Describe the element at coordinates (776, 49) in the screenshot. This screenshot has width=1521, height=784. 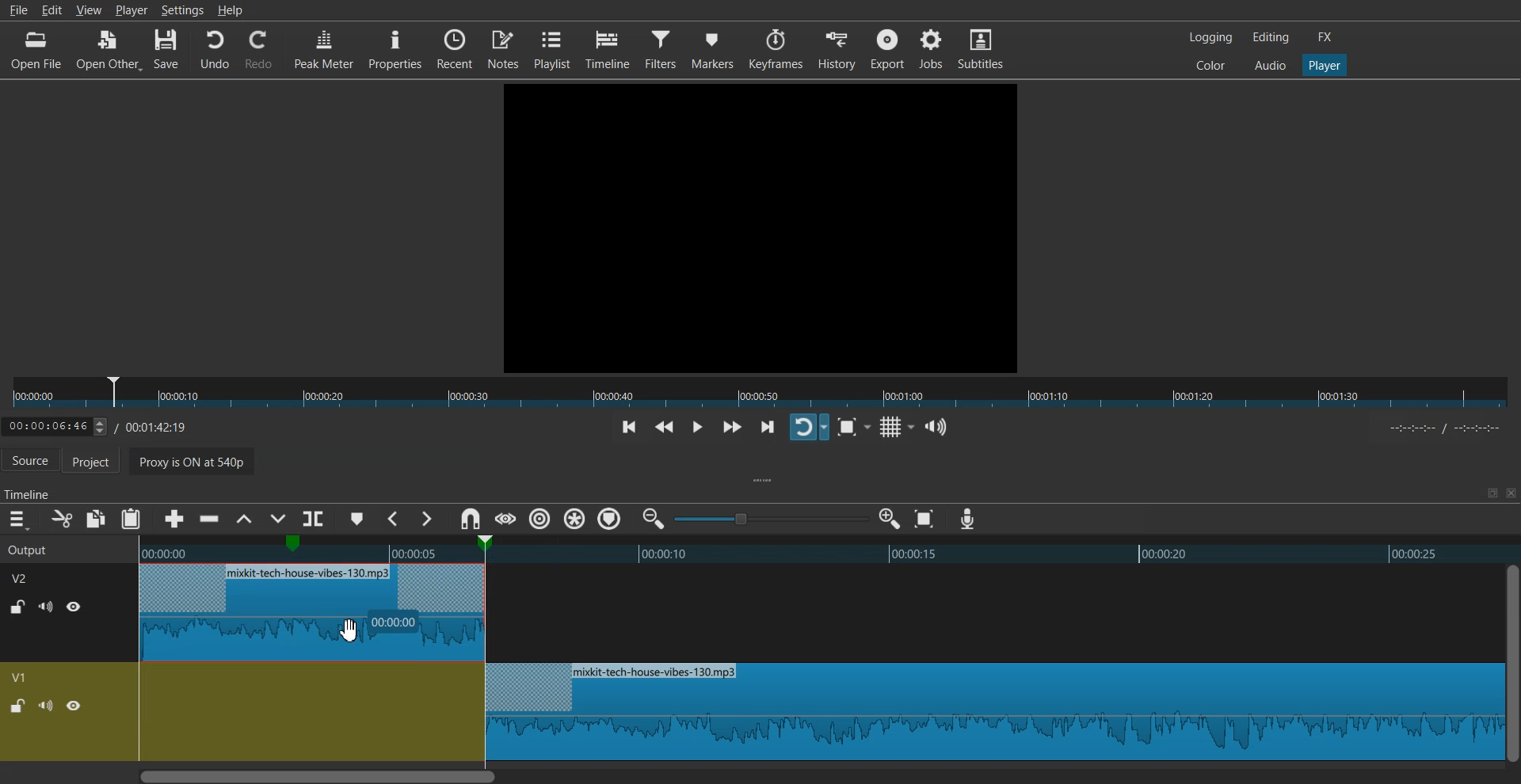
I see `Keyframes` at that location.